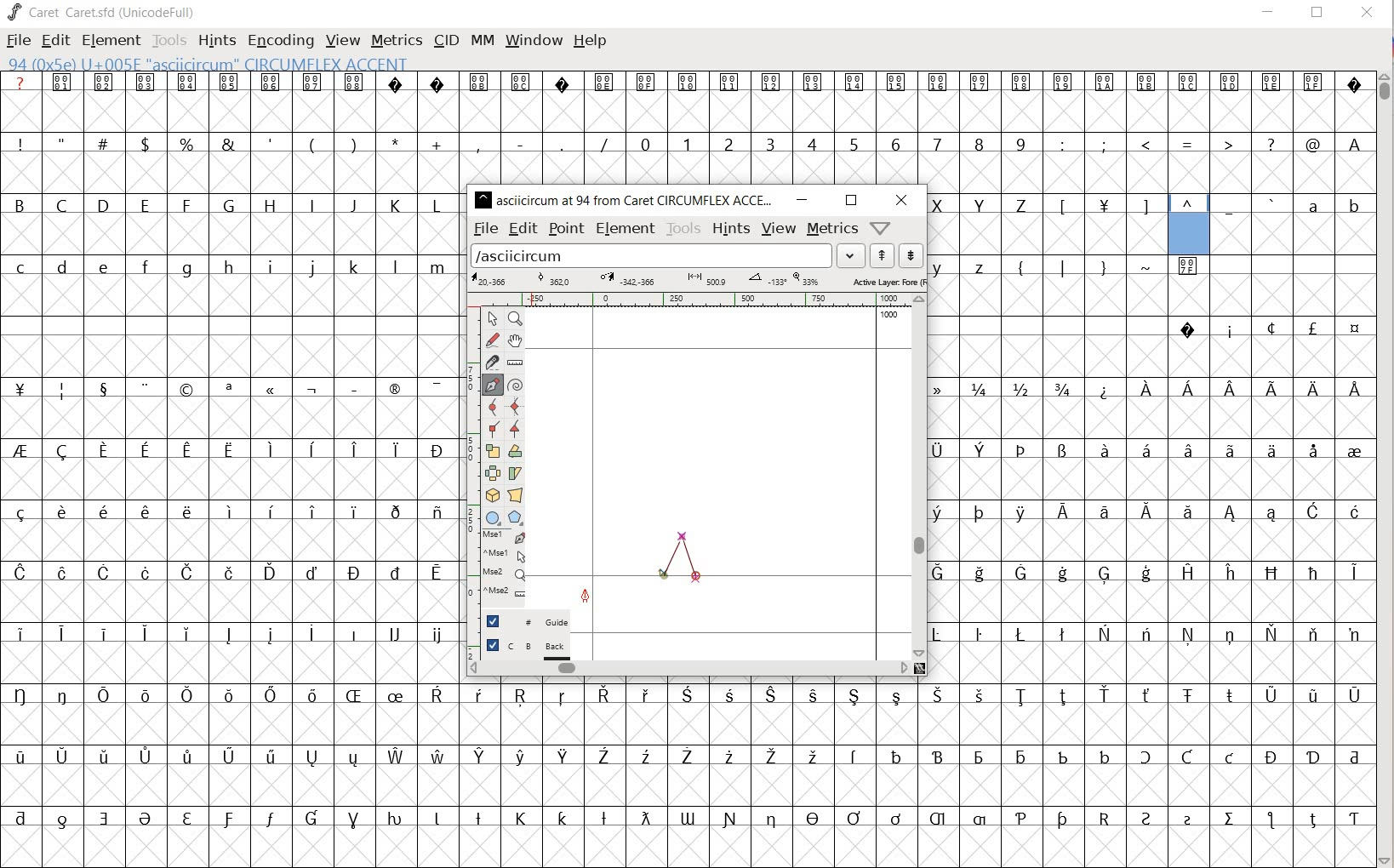 Image resolution: width=1394 pixels, height=868 pixels. What do you see at coordinates (694, 300) in the screenshot?
I see `ruler` at bounding box center [694, 300].